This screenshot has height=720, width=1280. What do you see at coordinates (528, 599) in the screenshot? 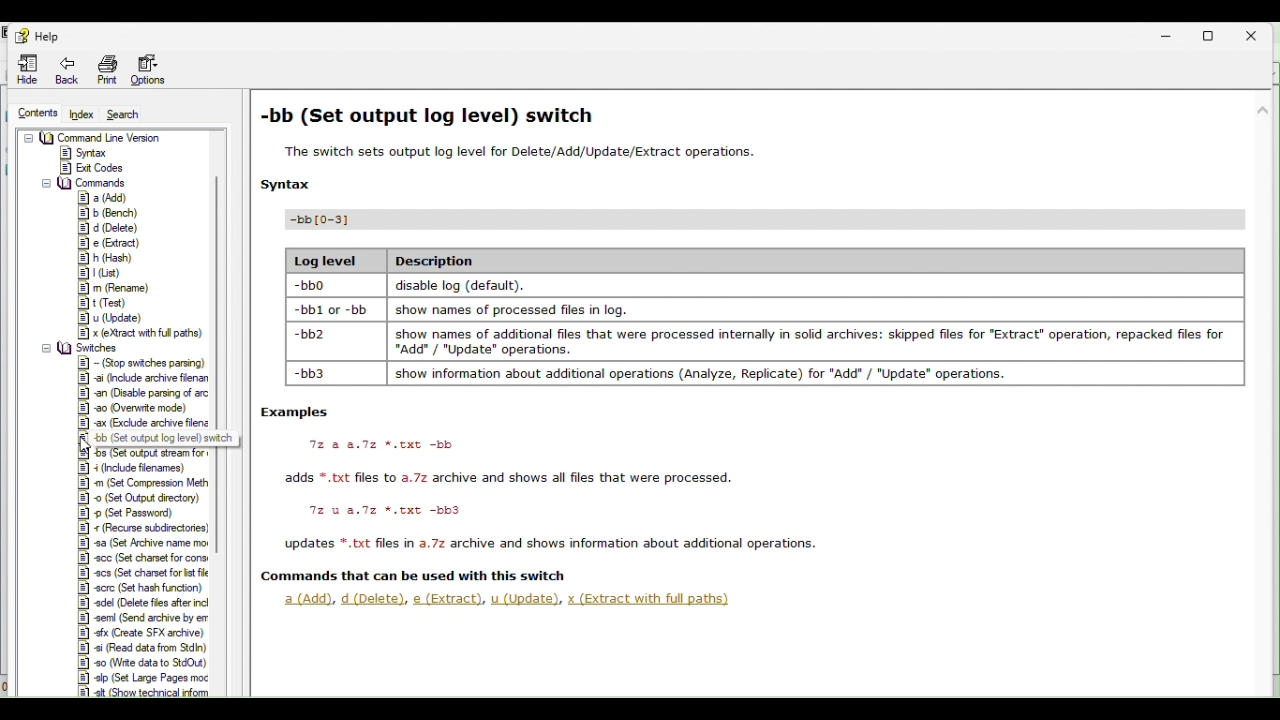
I see `u (Update),` at bounding box center [528, 599].